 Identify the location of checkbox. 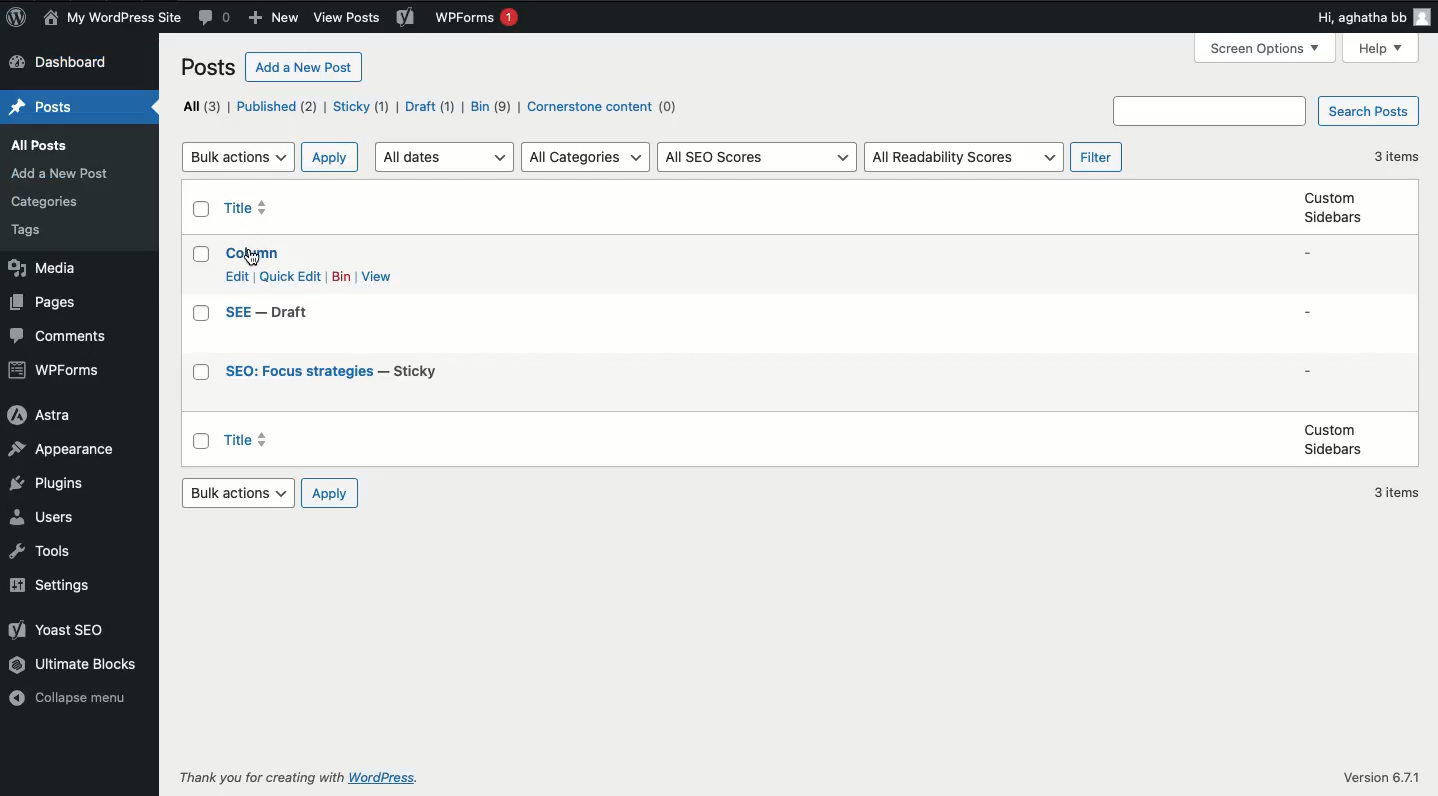
(201, 313).